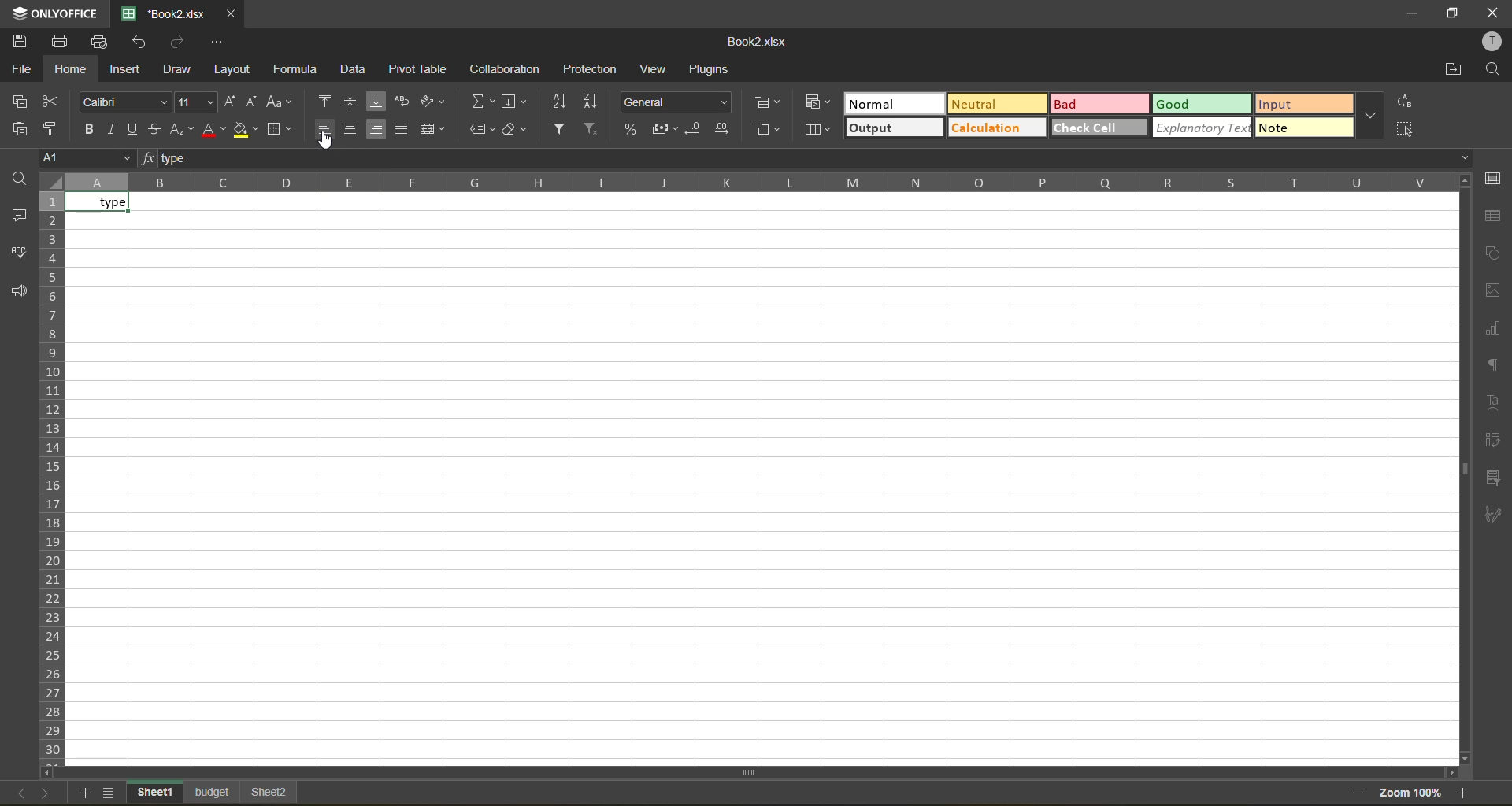  What do you see at coordinates (17, 793) in the screenshot?
I see `back` at bounding box center [17, 793].